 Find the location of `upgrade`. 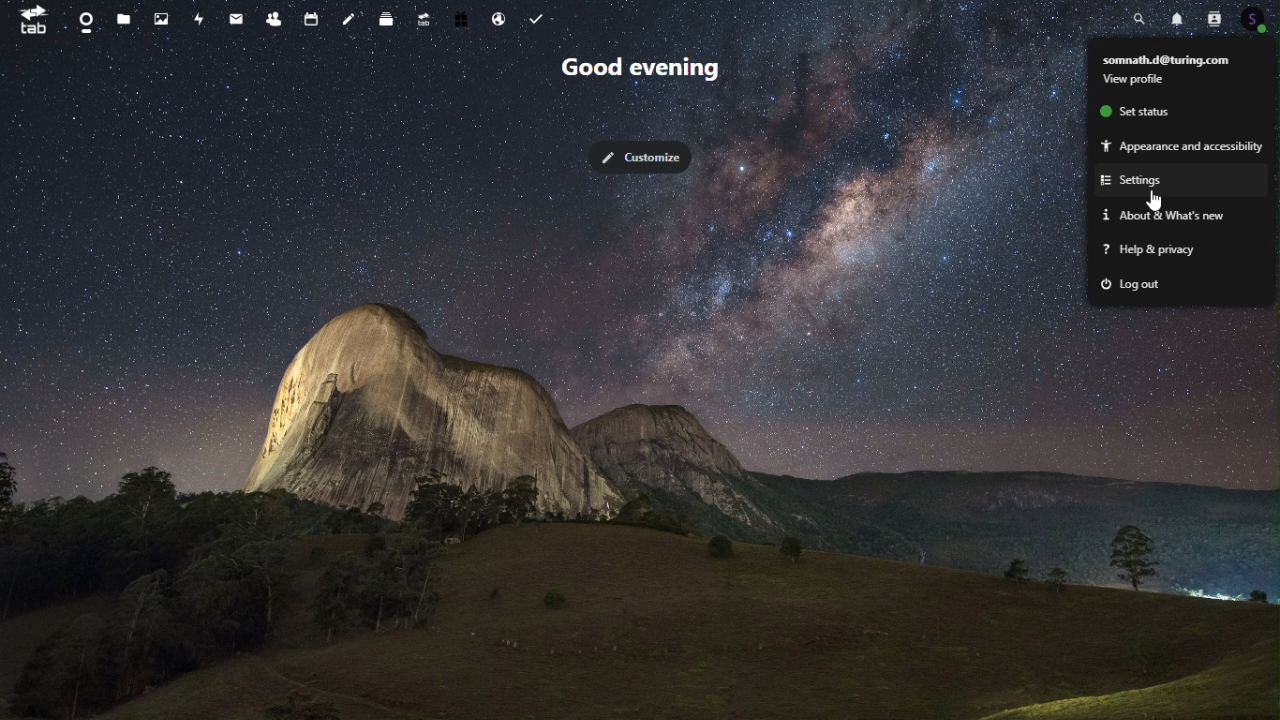

upgrade is located at coordinates (422, 20).